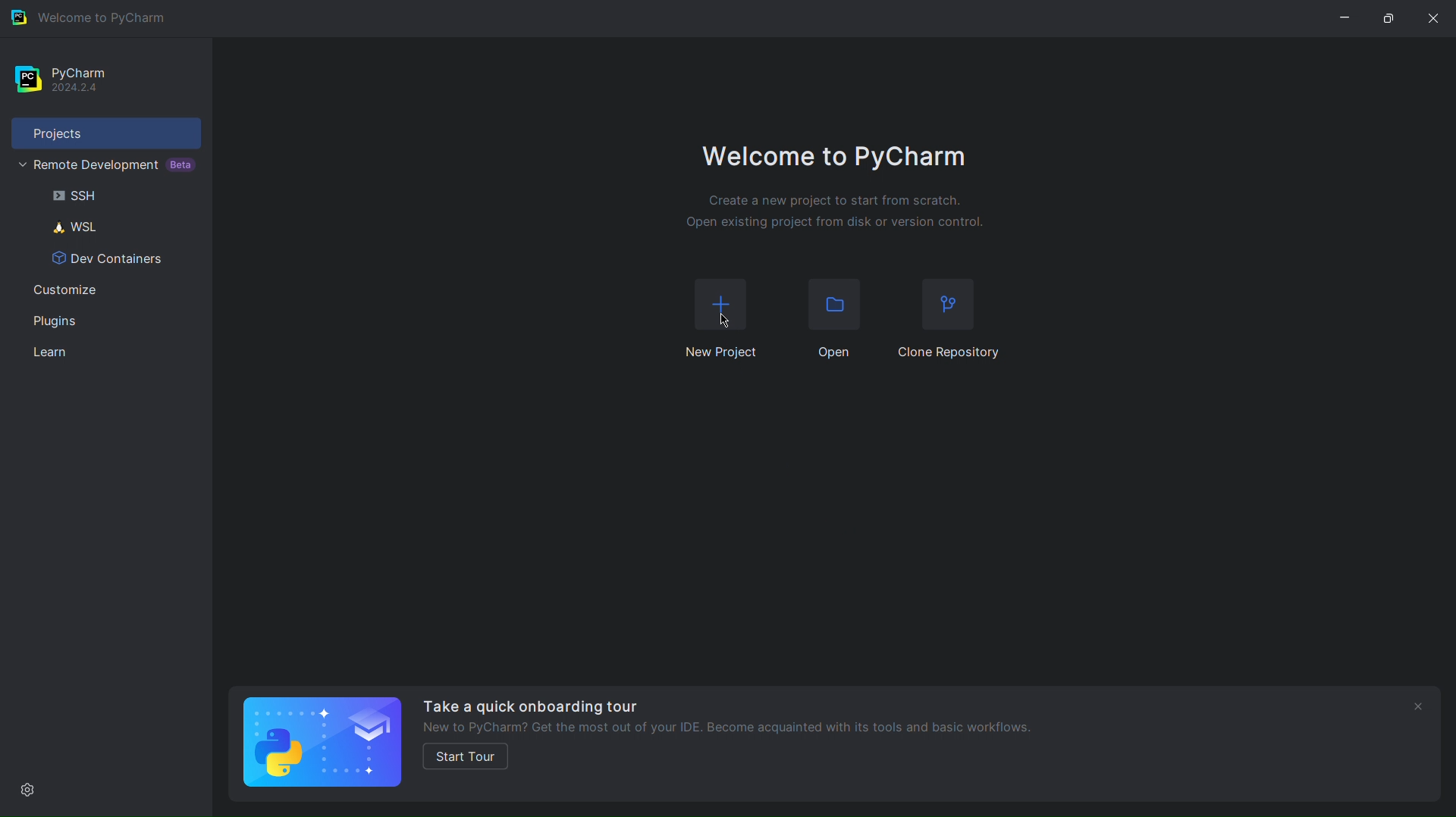 Image resolution: width=1456 pixels, height=817 pixels. I want to click on Create a new project to start from scratch, so click(836, 200).